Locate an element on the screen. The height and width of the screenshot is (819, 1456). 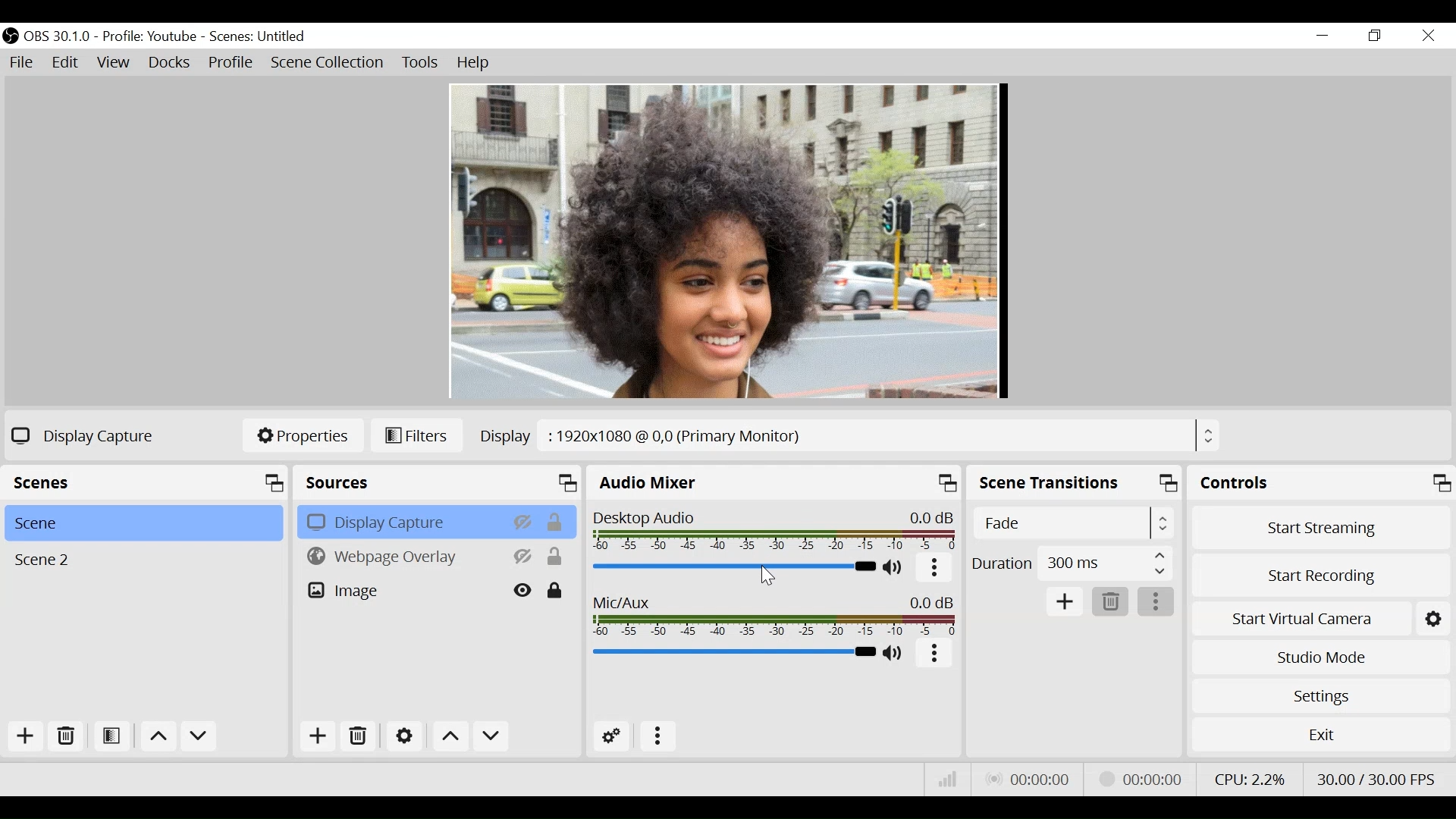
move up is located at coordinates (157, 736).